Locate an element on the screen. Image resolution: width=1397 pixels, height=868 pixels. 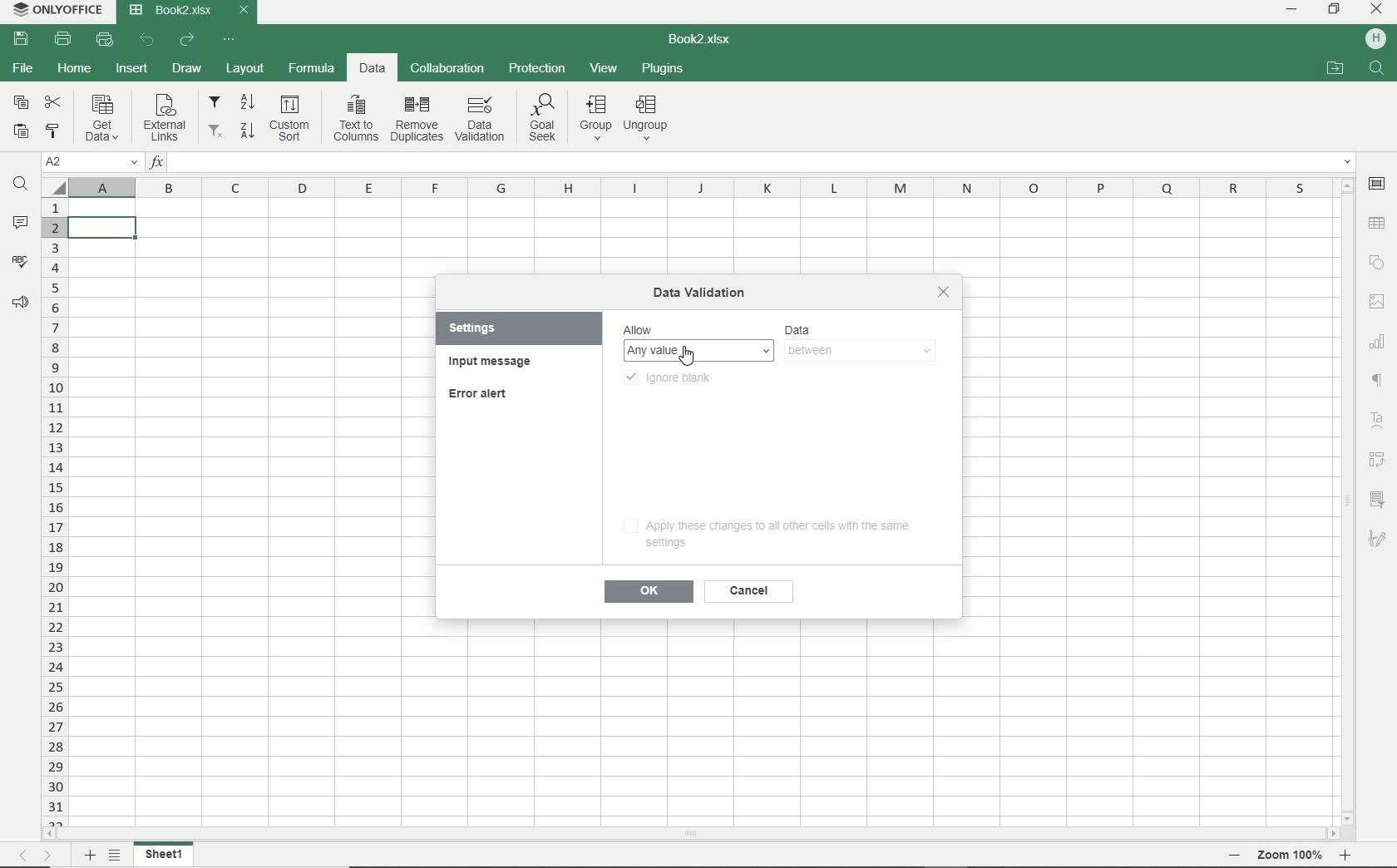
data is located at coordinates (817, 330).